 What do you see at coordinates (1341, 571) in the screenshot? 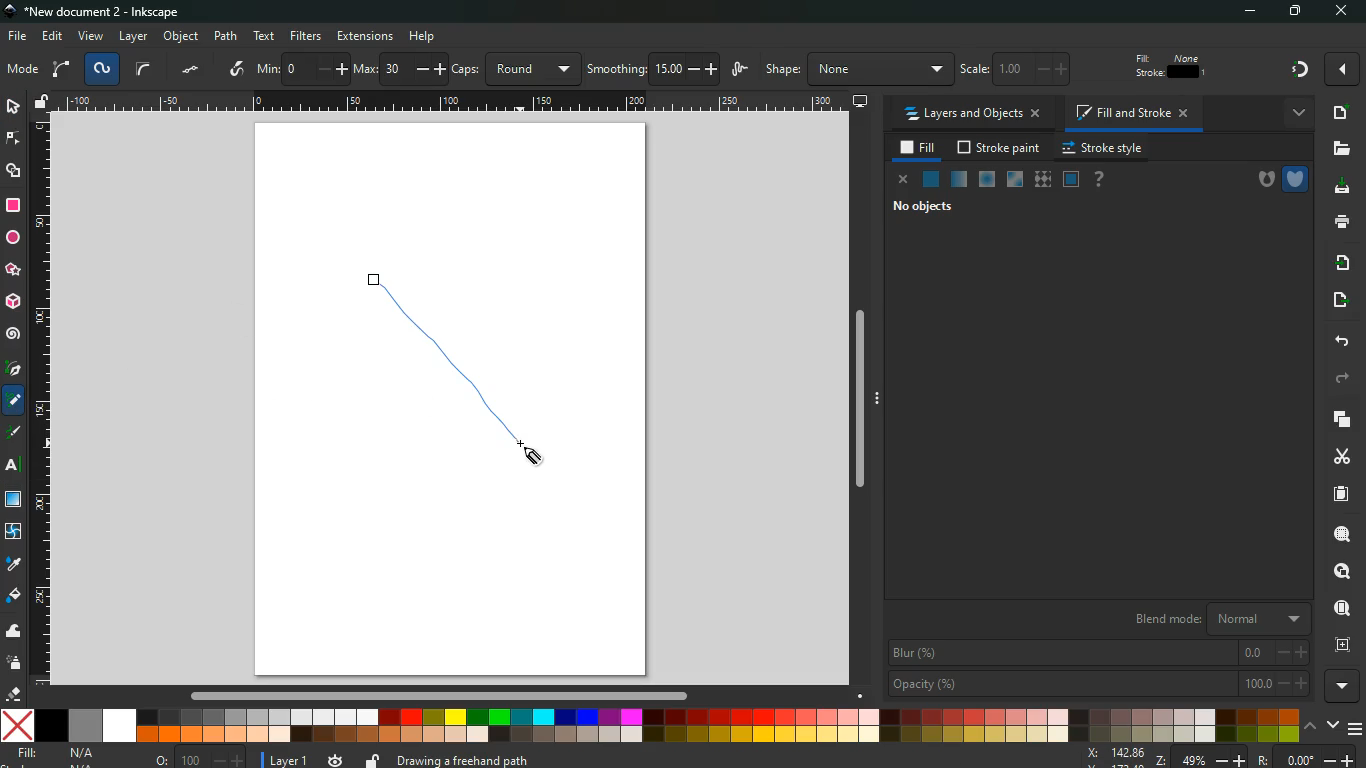
I see `look` at bounding box center [1341, 571].